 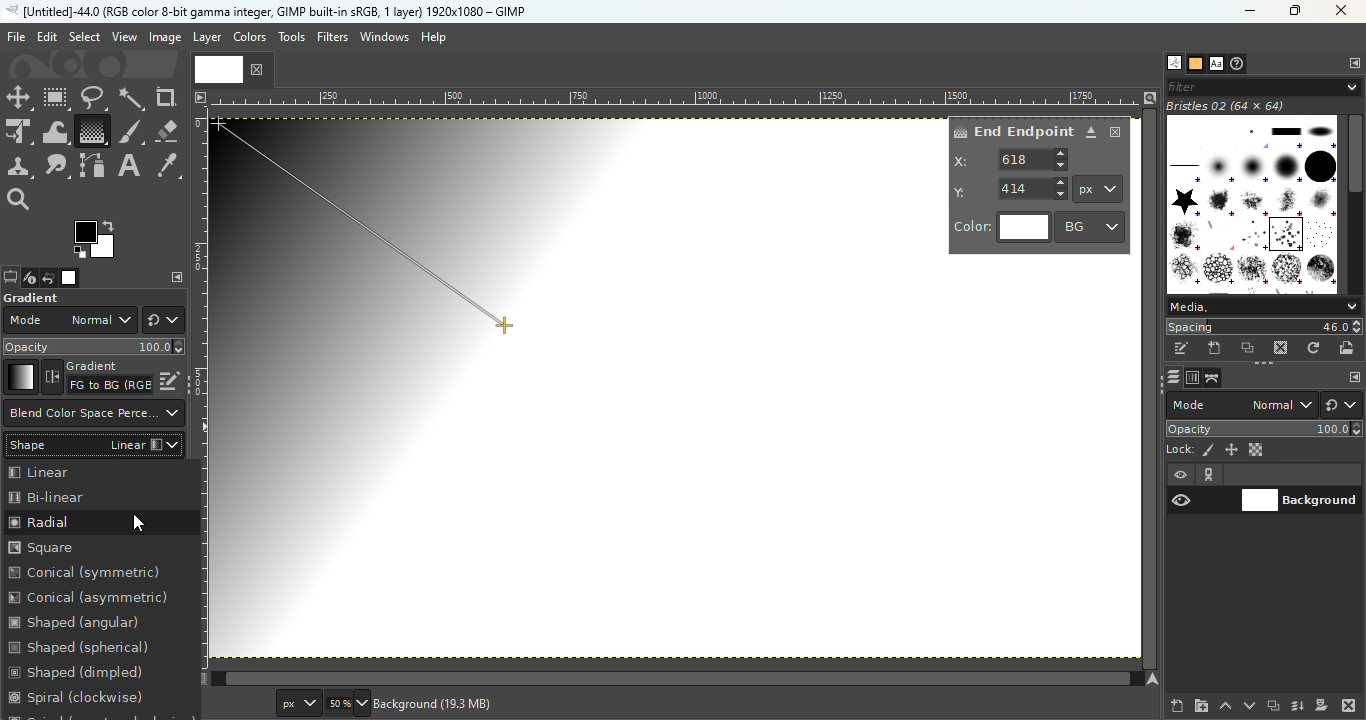 What do you see at coordinates (1230, 449) in the screenshot?
I see `Lock position and size` at bounding box center [1230, 449].